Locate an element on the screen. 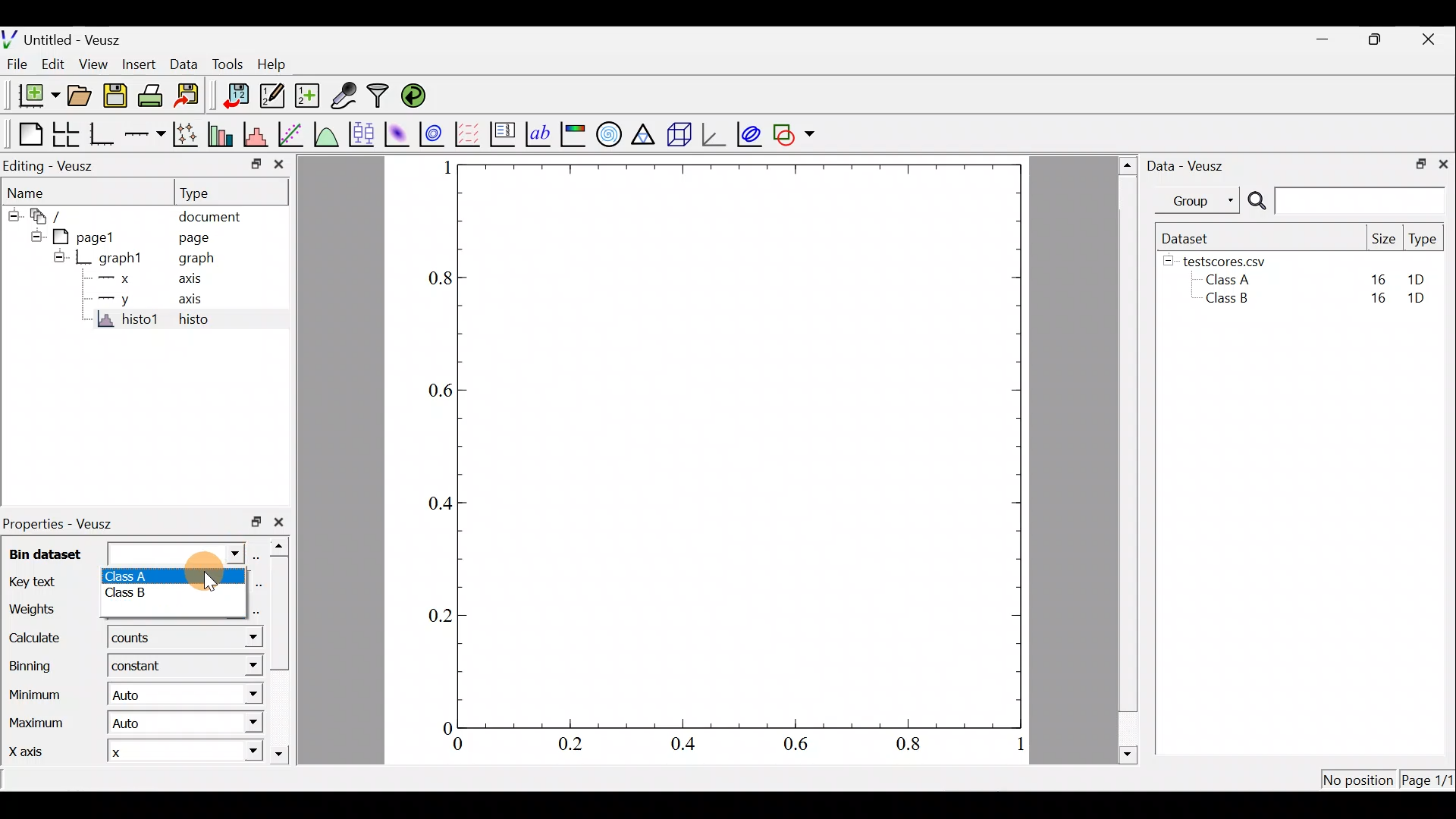 This screenshot has width=1456, height=819. Minimize is located at coordinates (1323, 39).